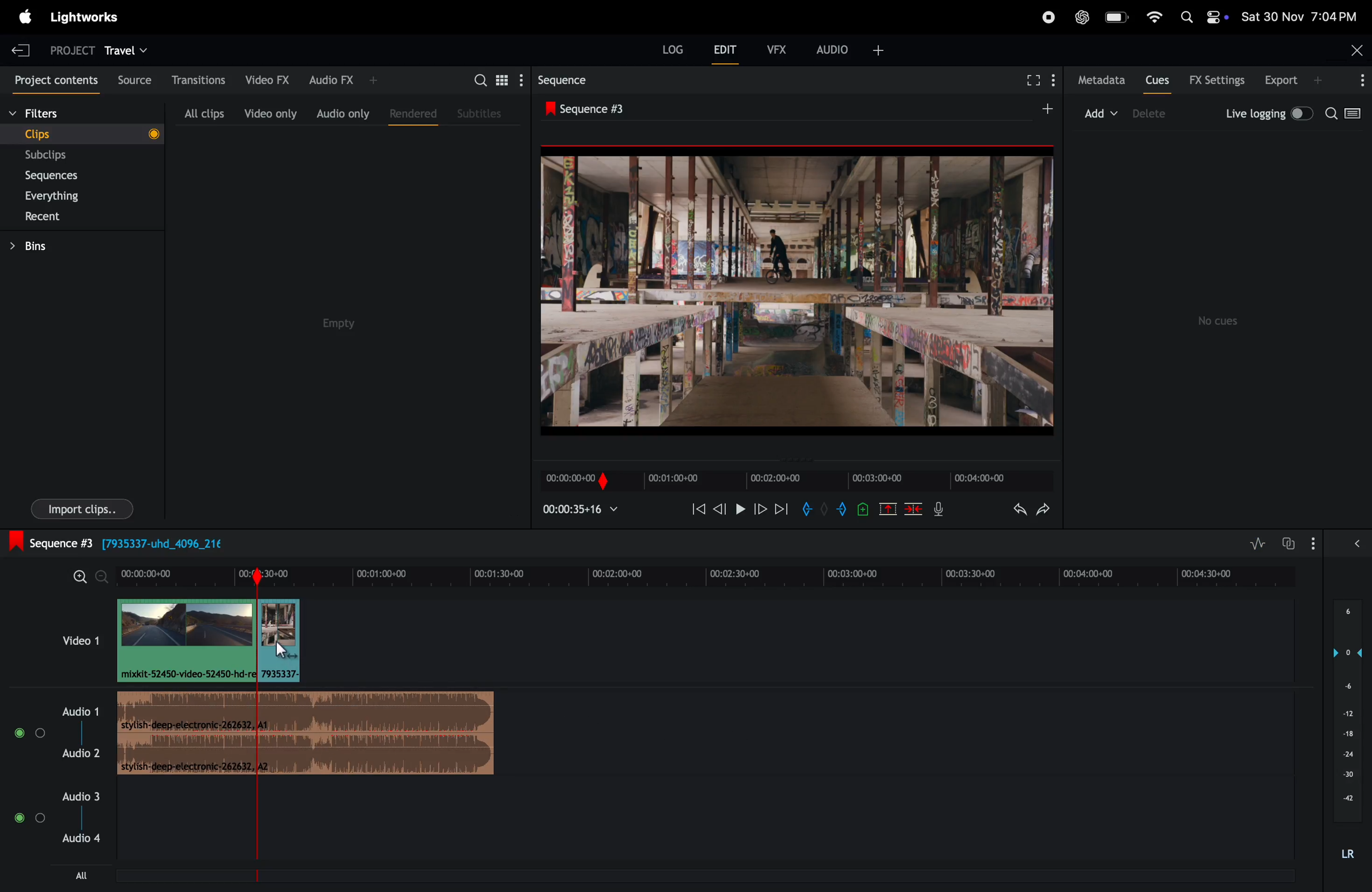 The image size is (1372, 892). Describe the element at coordinates (563, 78) in the screenshot. I see `sequence` at that location.